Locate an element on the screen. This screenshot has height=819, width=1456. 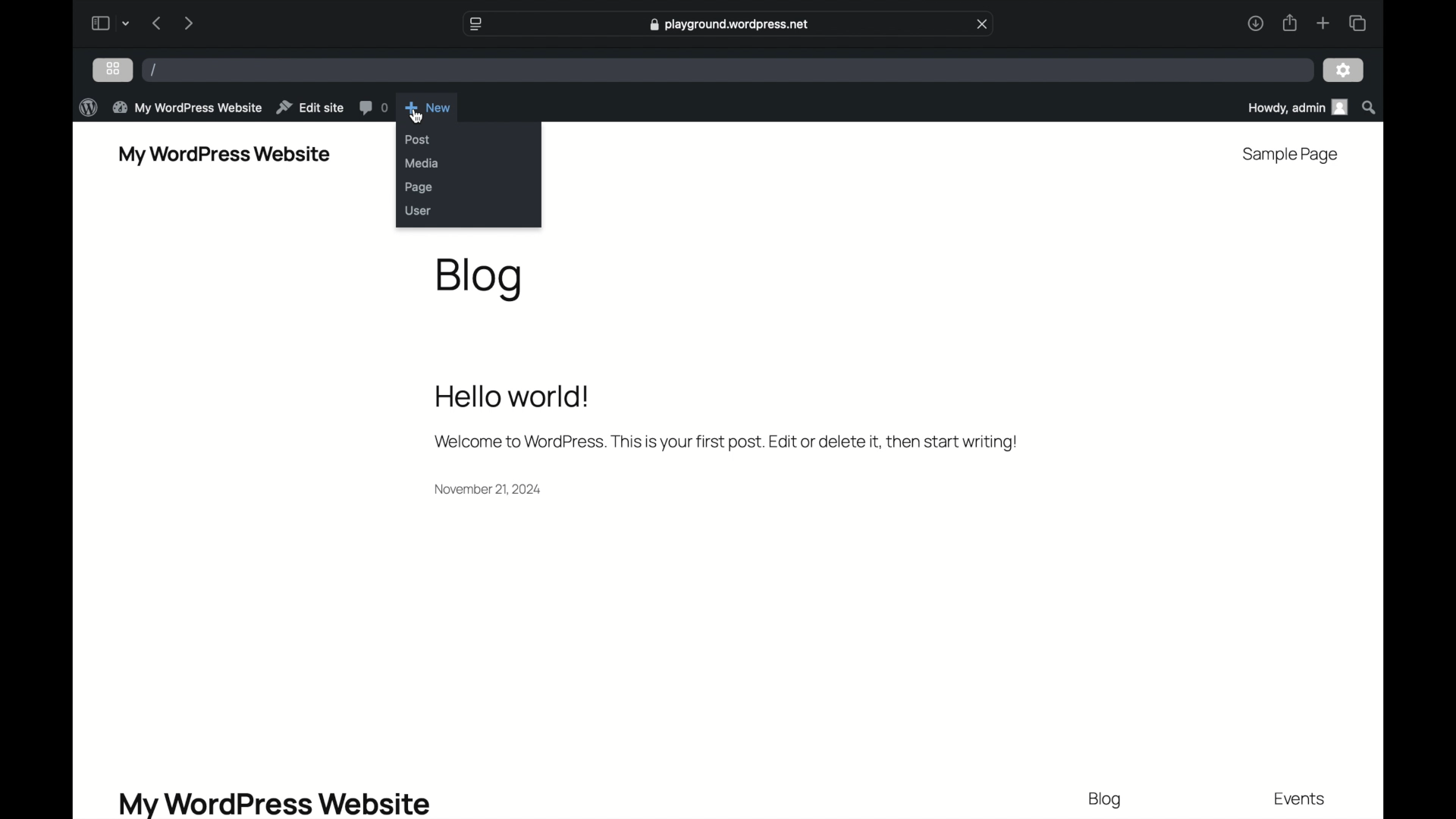
my wordpress website is located at coordinates (187, 107).